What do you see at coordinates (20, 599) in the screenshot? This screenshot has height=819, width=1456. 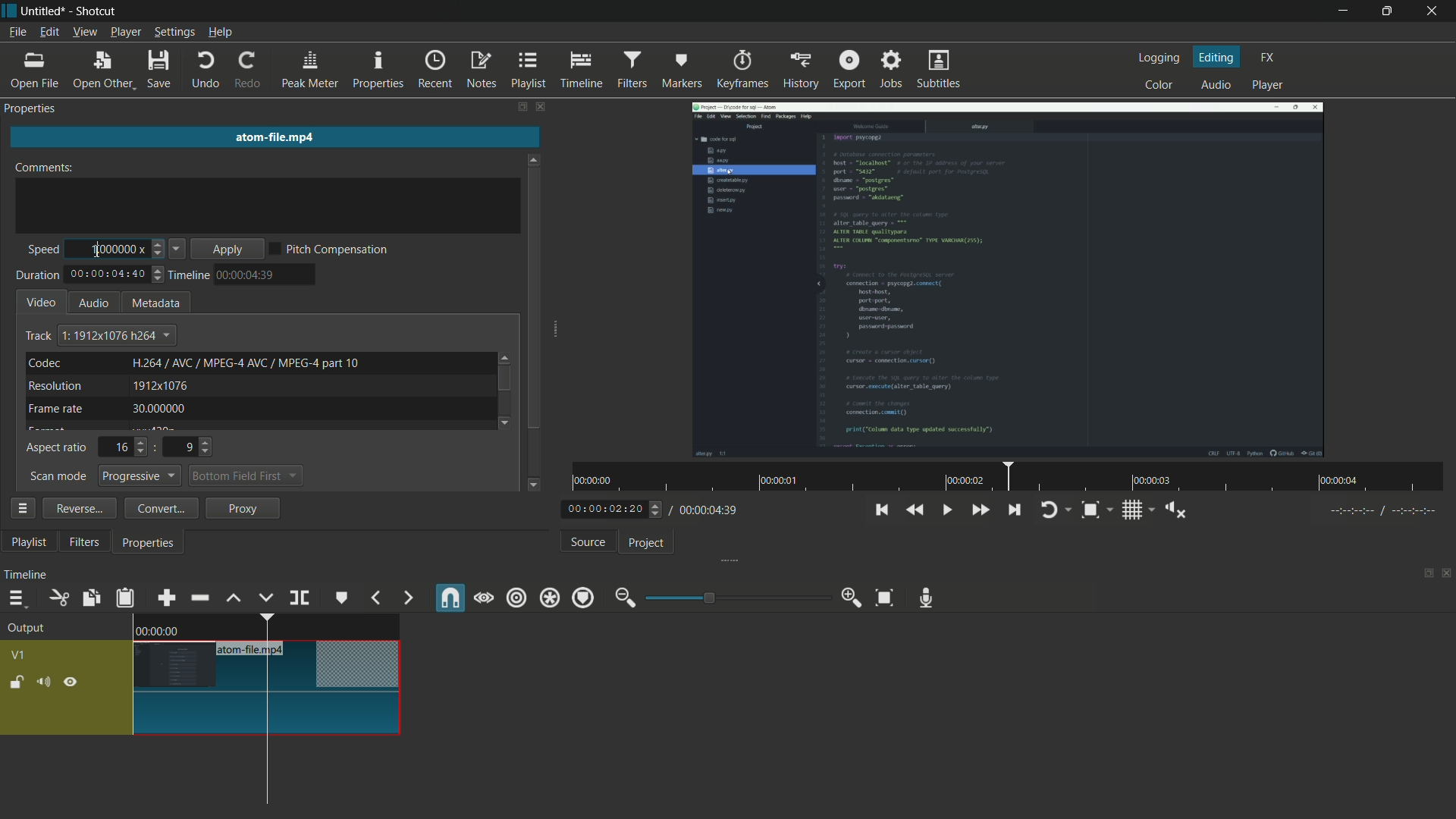 I see `timeline menu` at bounding box center [20, 599].